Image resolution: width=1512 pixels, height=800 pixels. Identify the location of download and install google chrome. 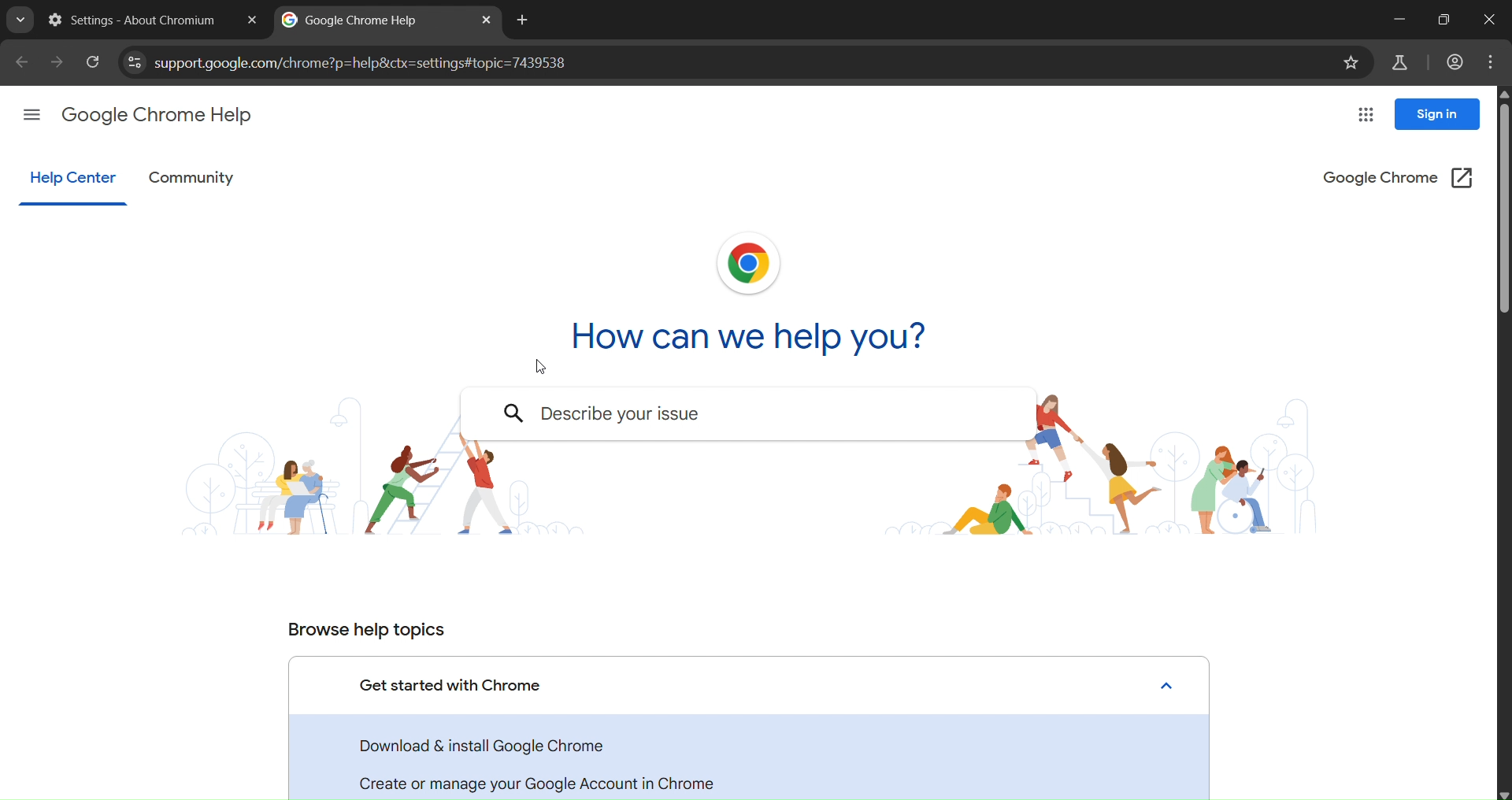
(495, 745).